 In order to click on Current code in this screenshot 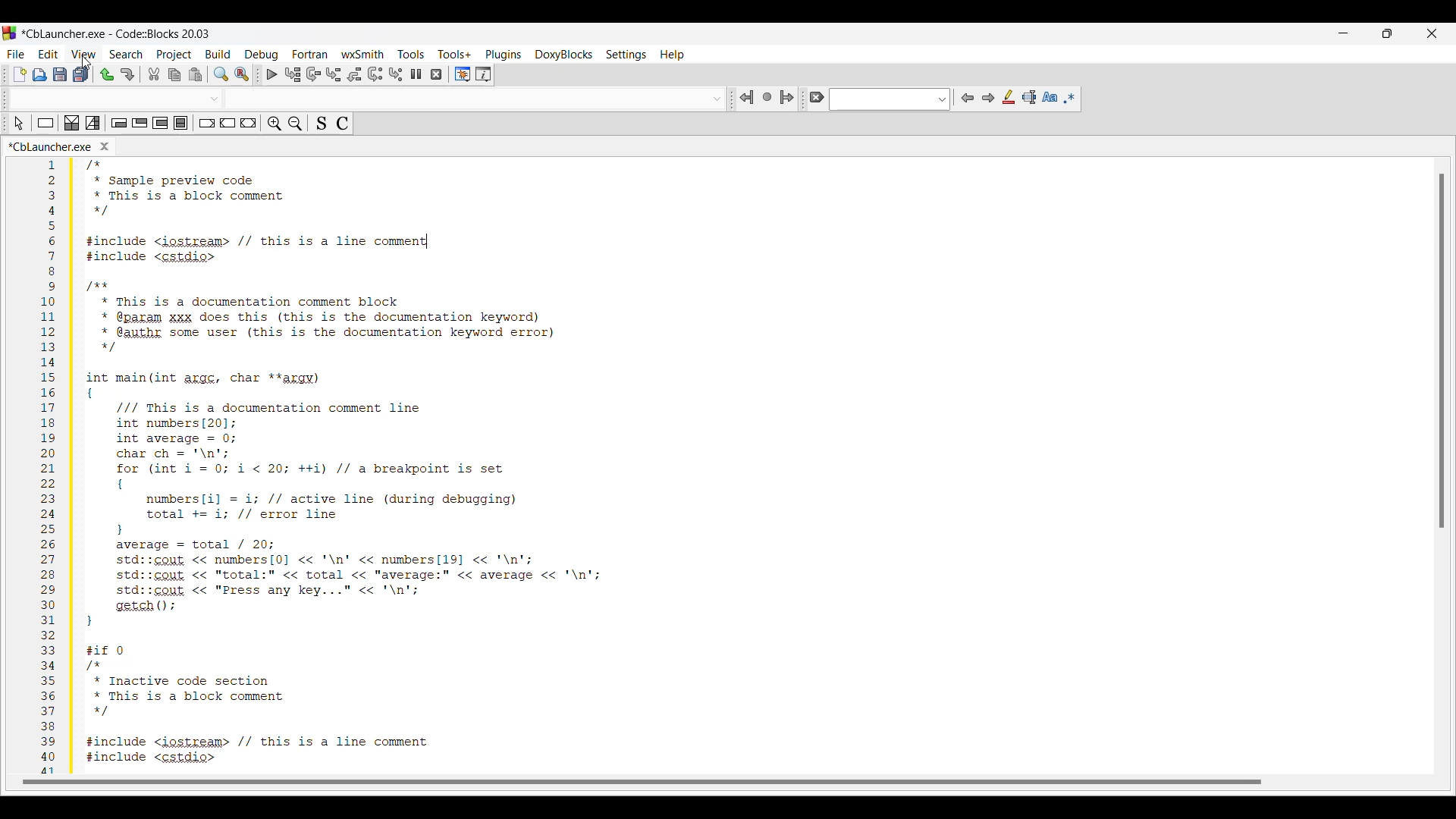, I will do `click(340, 469)`.